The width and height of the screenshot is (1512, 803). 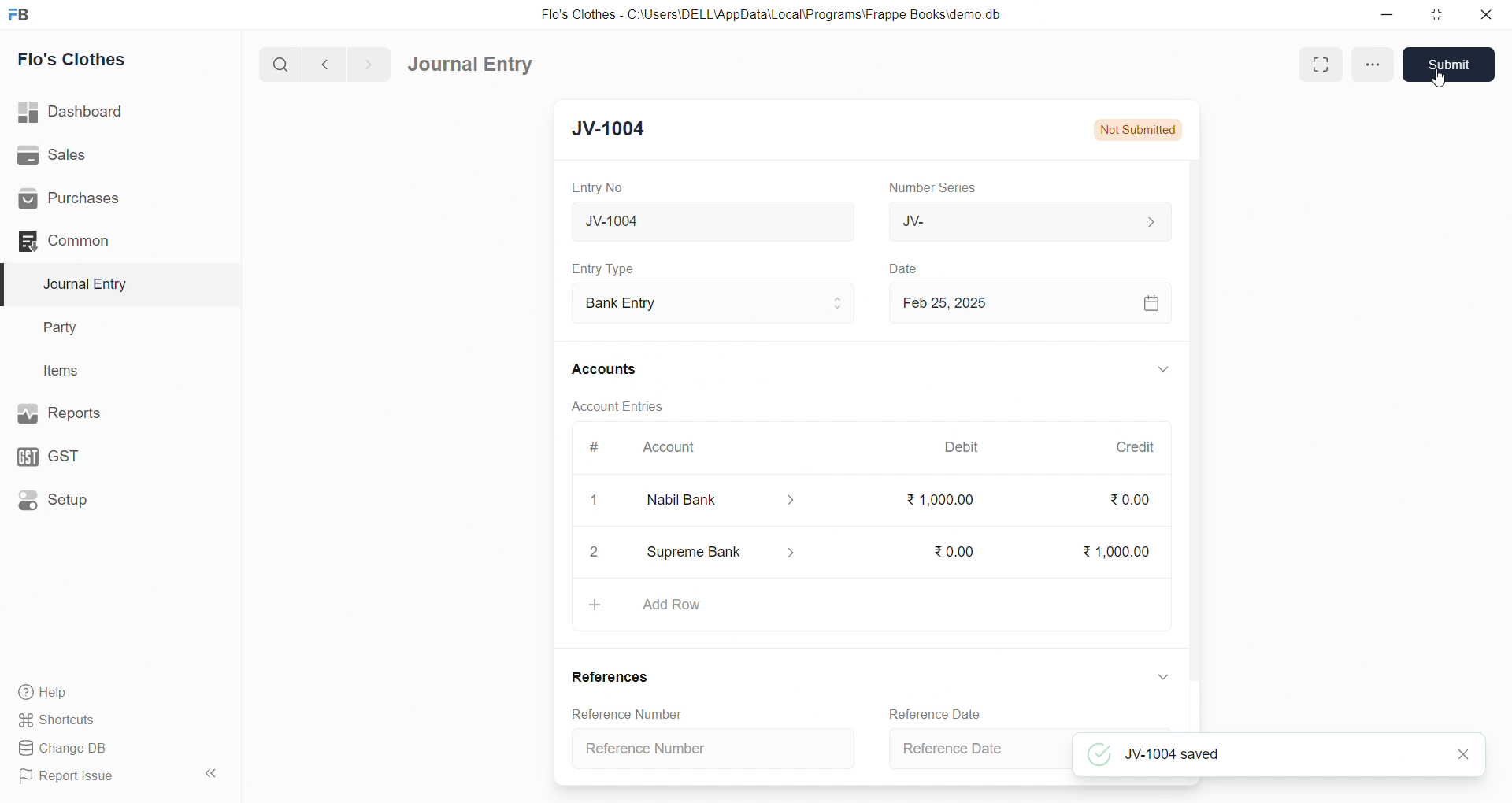 I want to click on New Entry, so click(x=617, y=131).